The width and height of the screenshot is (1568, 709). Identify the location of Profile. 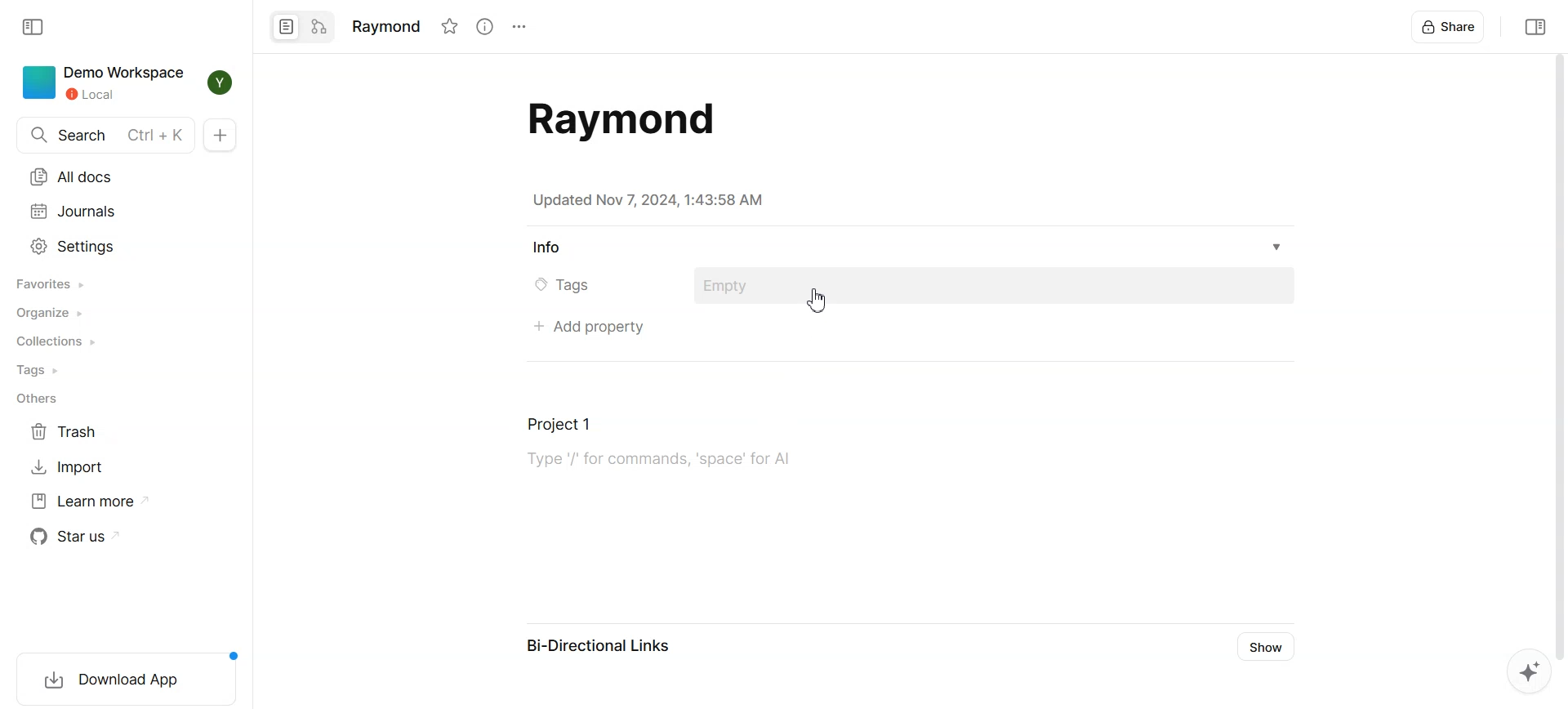
(222, 82).